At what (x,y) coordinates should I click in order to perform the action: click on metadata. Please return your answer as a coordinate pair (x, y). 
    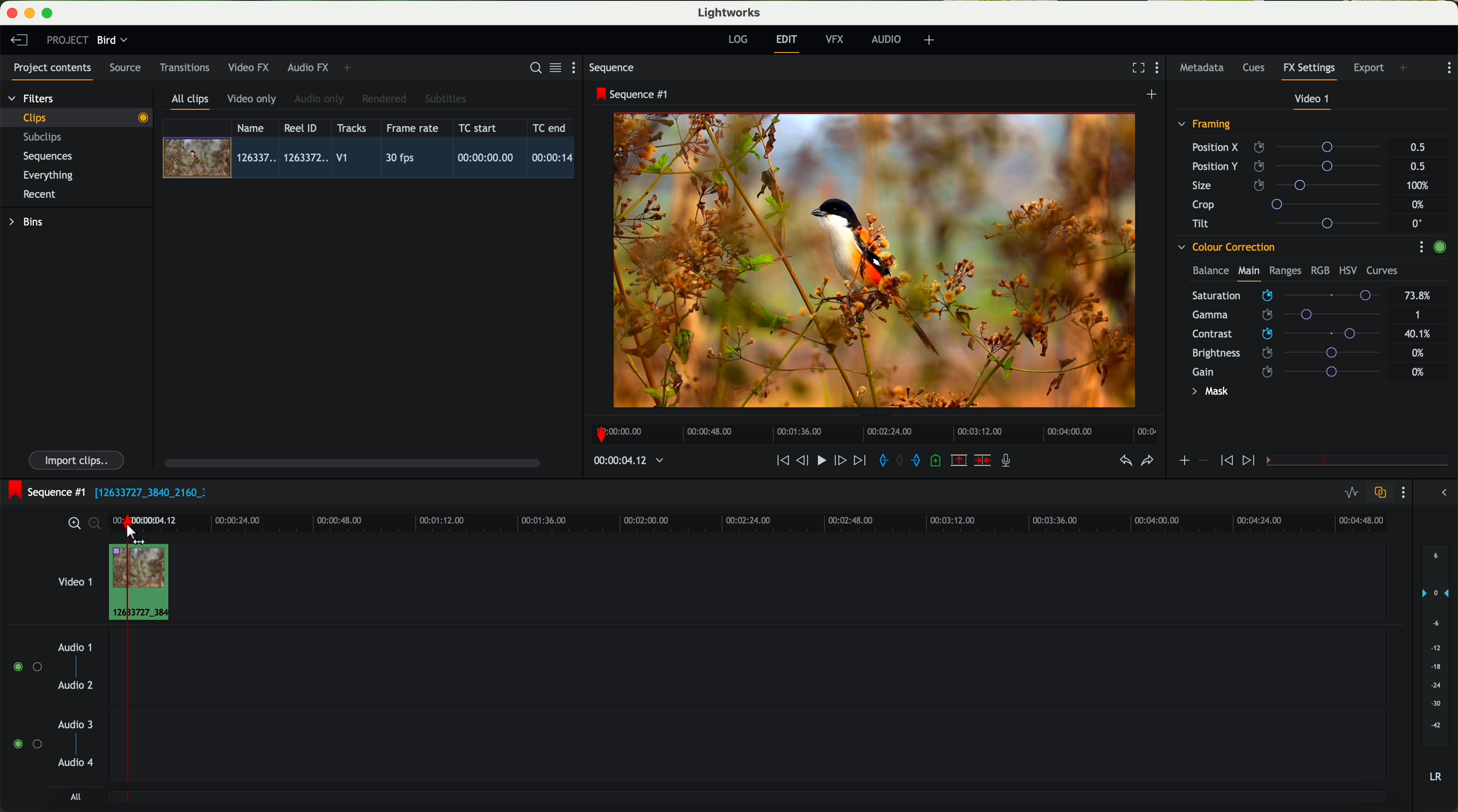
    Looking at the image, I should click on (1204, 68).